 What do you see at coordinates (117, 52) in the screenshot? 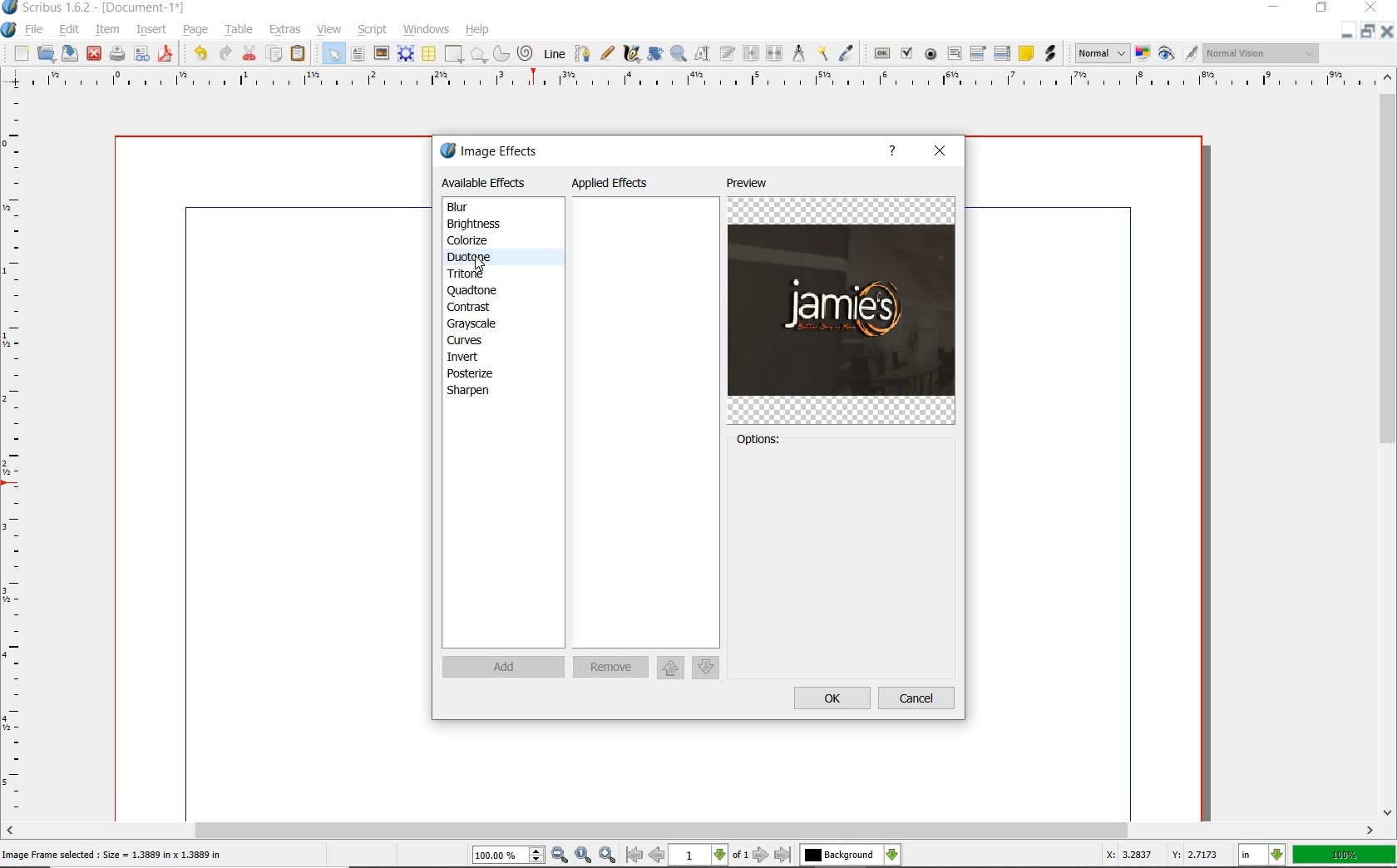
I see `save` at bounding box center [117, 52].